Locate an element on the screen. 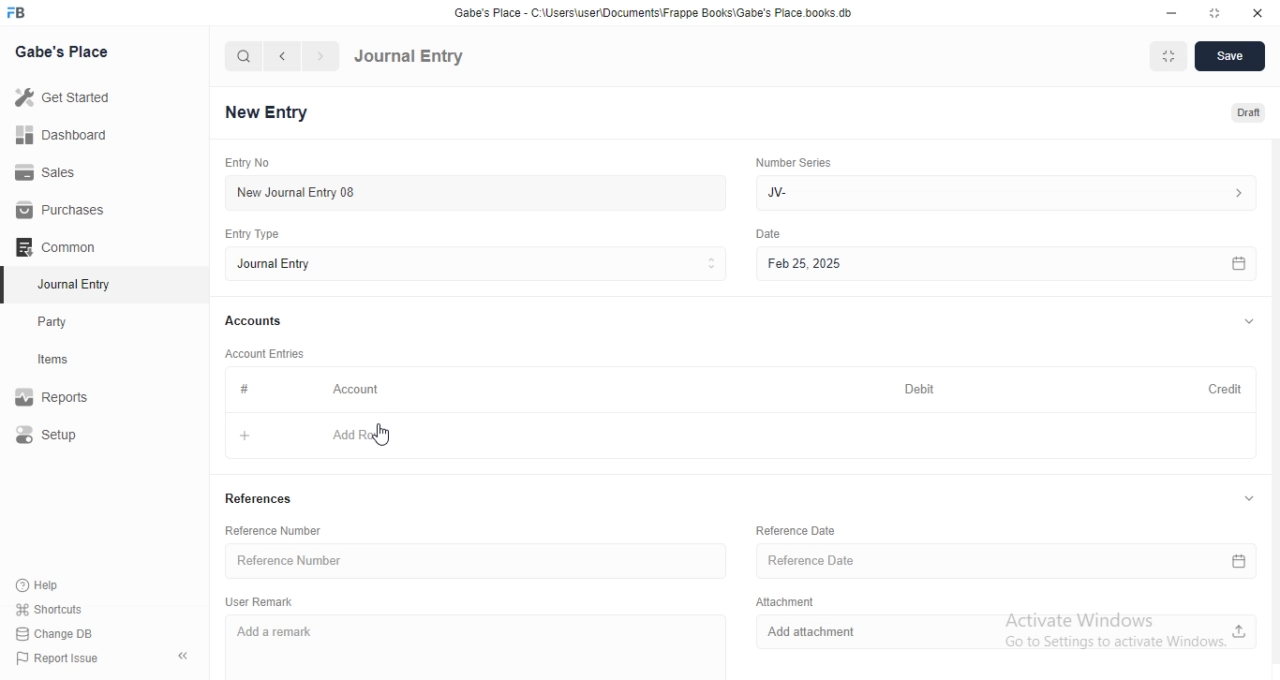  close is located at coordinates (1256, 11).